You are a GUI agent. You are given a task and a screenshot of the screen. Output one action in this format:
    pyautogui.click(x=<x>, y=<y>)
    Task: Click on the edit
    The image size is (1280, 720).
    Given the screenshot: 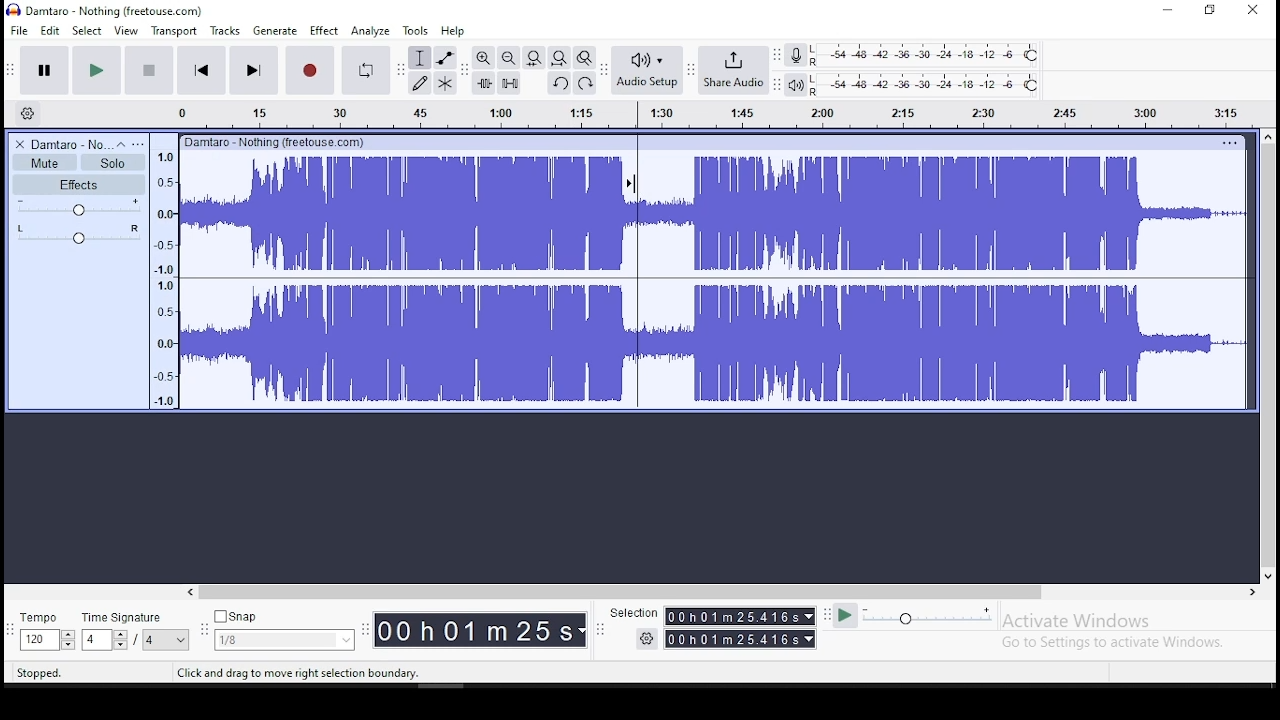 What is the action you would take?
    pyautogui.click(x=52, y=30)
    